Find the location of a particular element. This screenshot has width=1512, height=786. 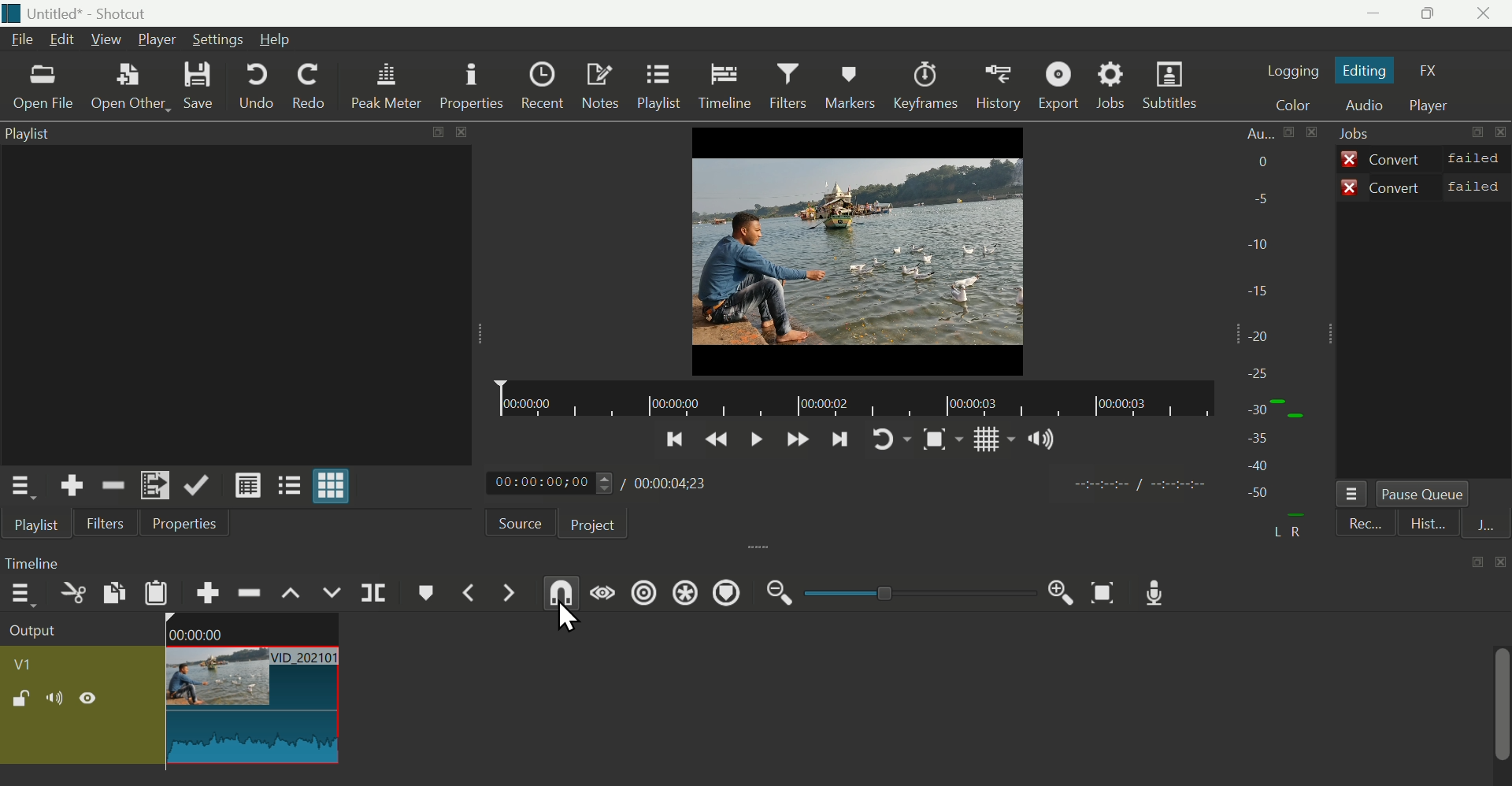

Editing is located at coordinates (1370, 72).